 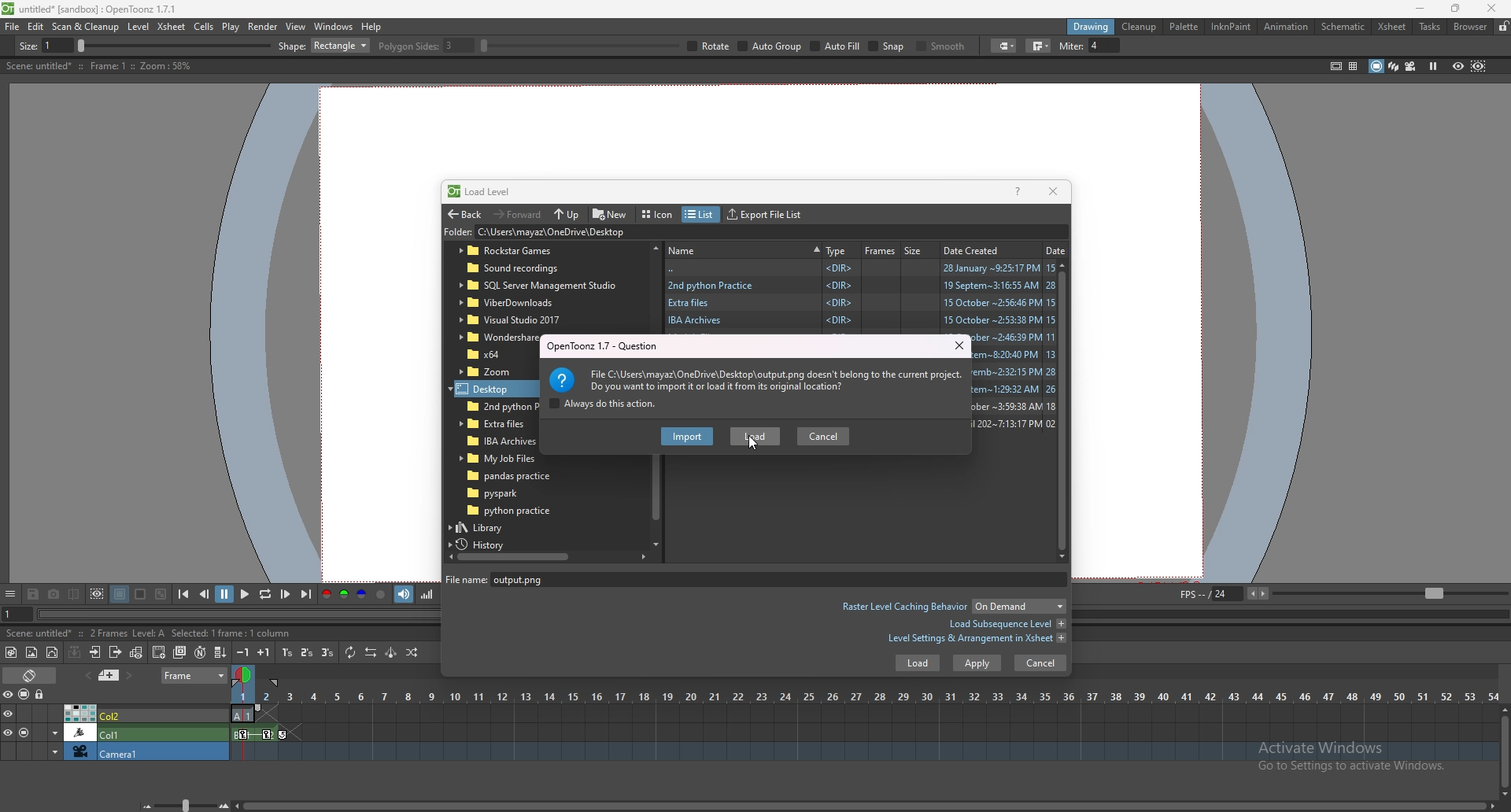 What do you see at coordinates (1503, 26) in the screenshot?
I see `lock` at bounding box center [1503, 26].